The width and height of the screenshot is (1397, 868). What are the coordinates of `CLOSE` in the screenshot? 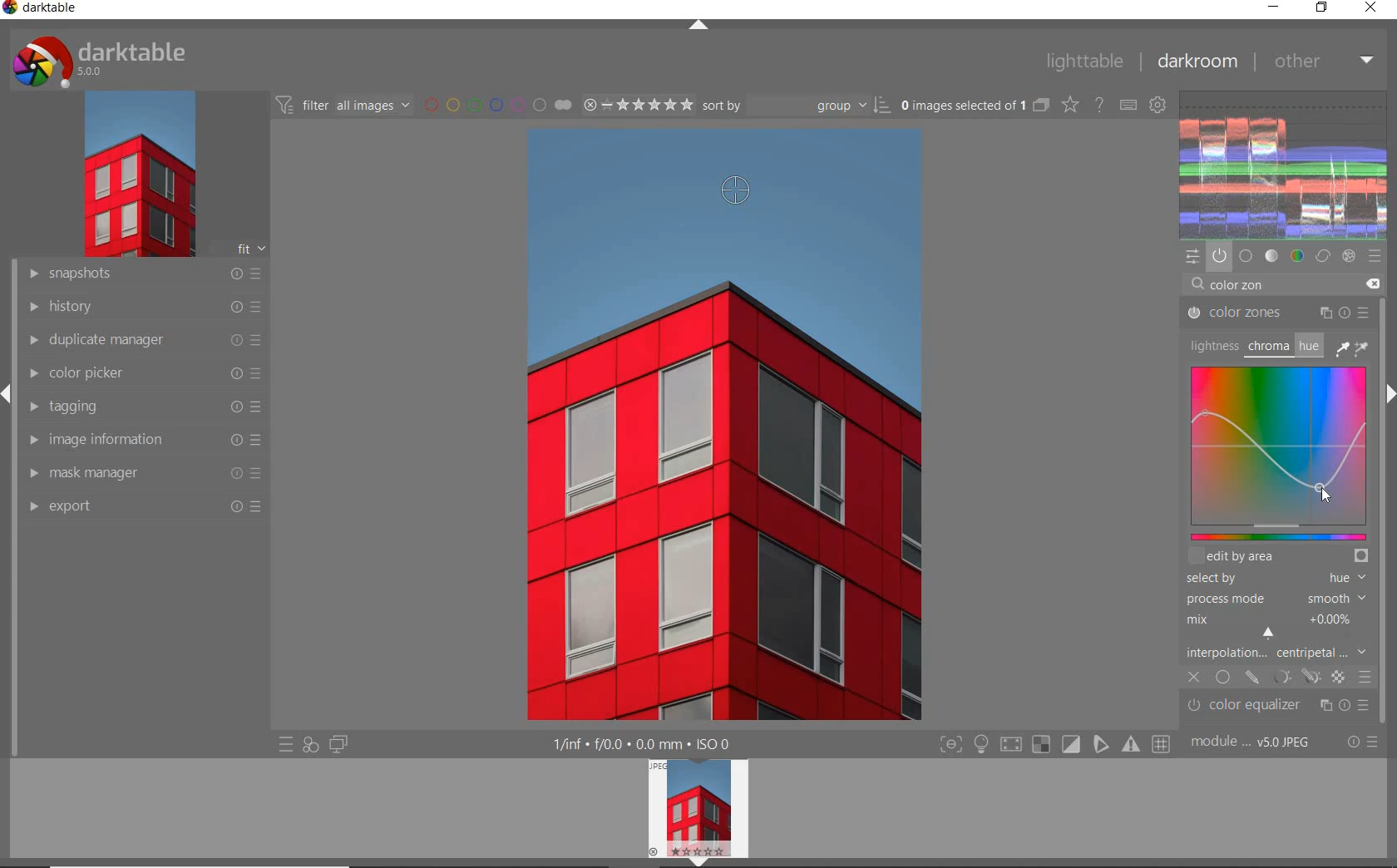 It's located at (1194, 678).